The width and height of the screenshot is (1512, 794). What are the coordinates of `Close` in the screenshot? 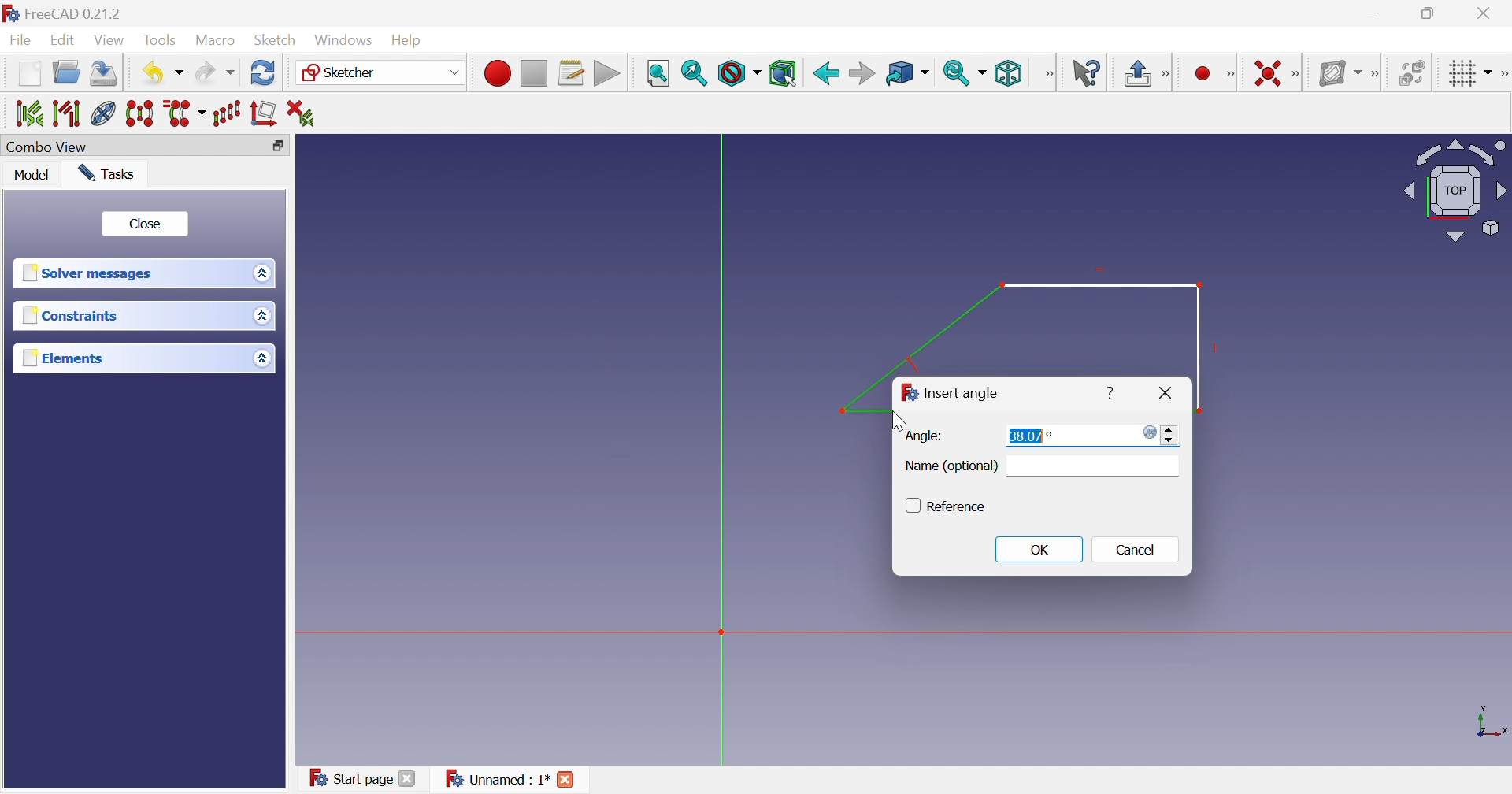 It's located at (1487, 13).